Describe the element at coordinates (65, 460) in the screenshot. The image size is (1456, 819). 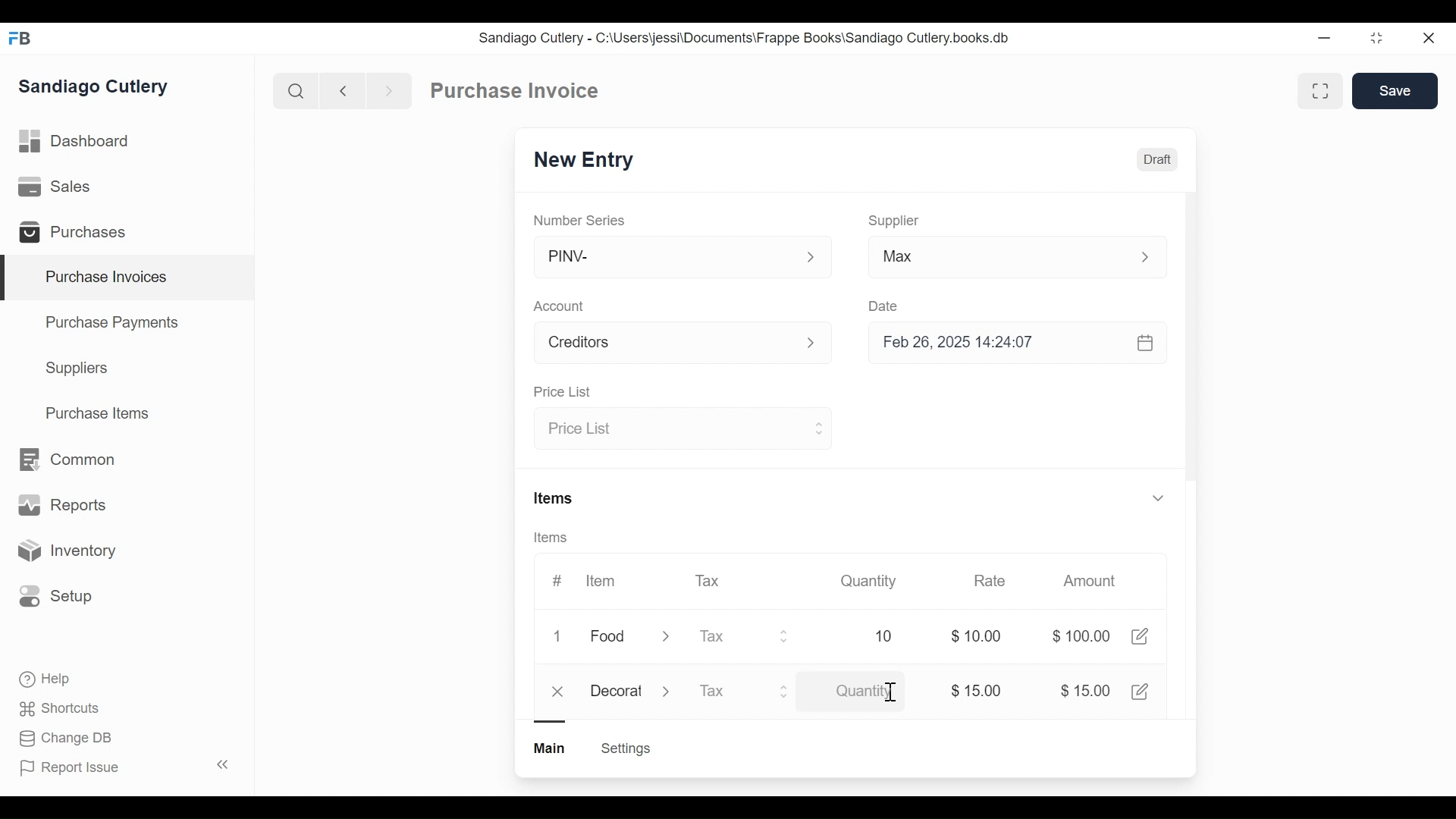
I see `Common` at that location.